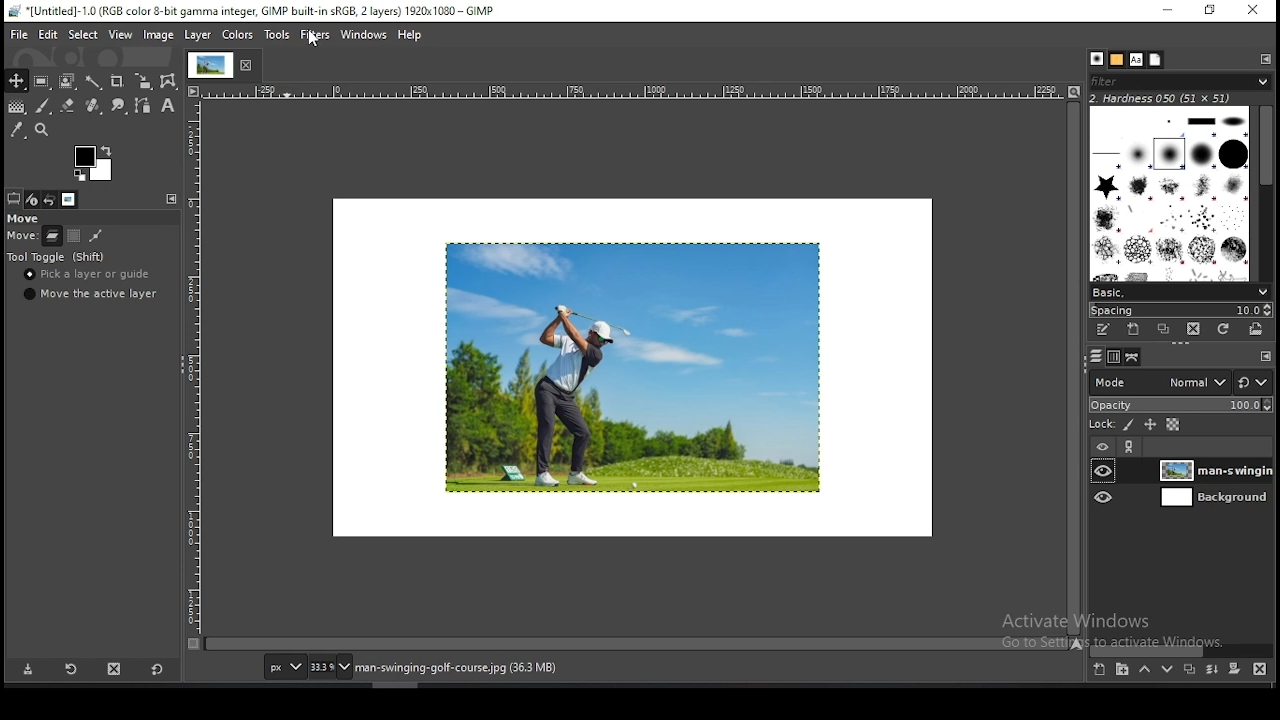 The image size is (1280, 720). Describe the element at coordinates (66, 82) in the screenshot. I see `foreground select tool` at that location.